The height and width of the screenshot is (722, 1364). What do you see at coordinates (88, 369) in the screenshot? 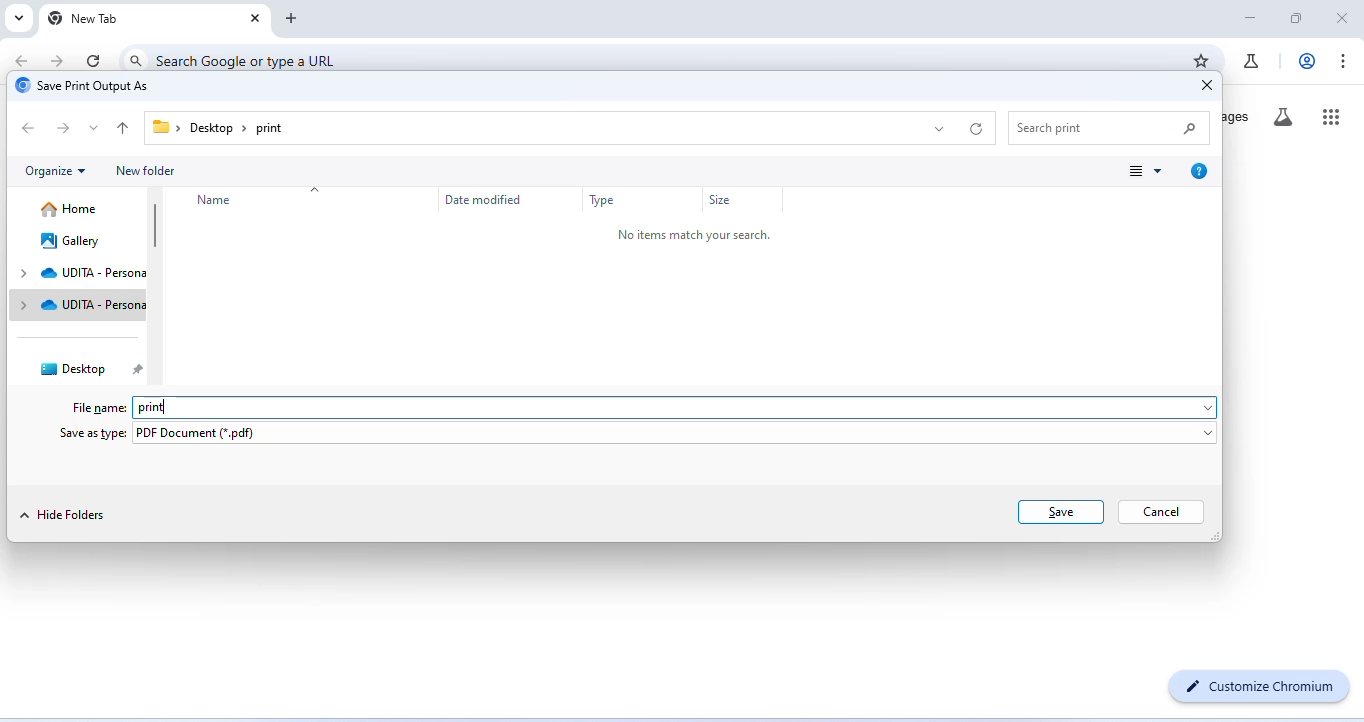
I see `desktop` at bounding box center [88, 369].